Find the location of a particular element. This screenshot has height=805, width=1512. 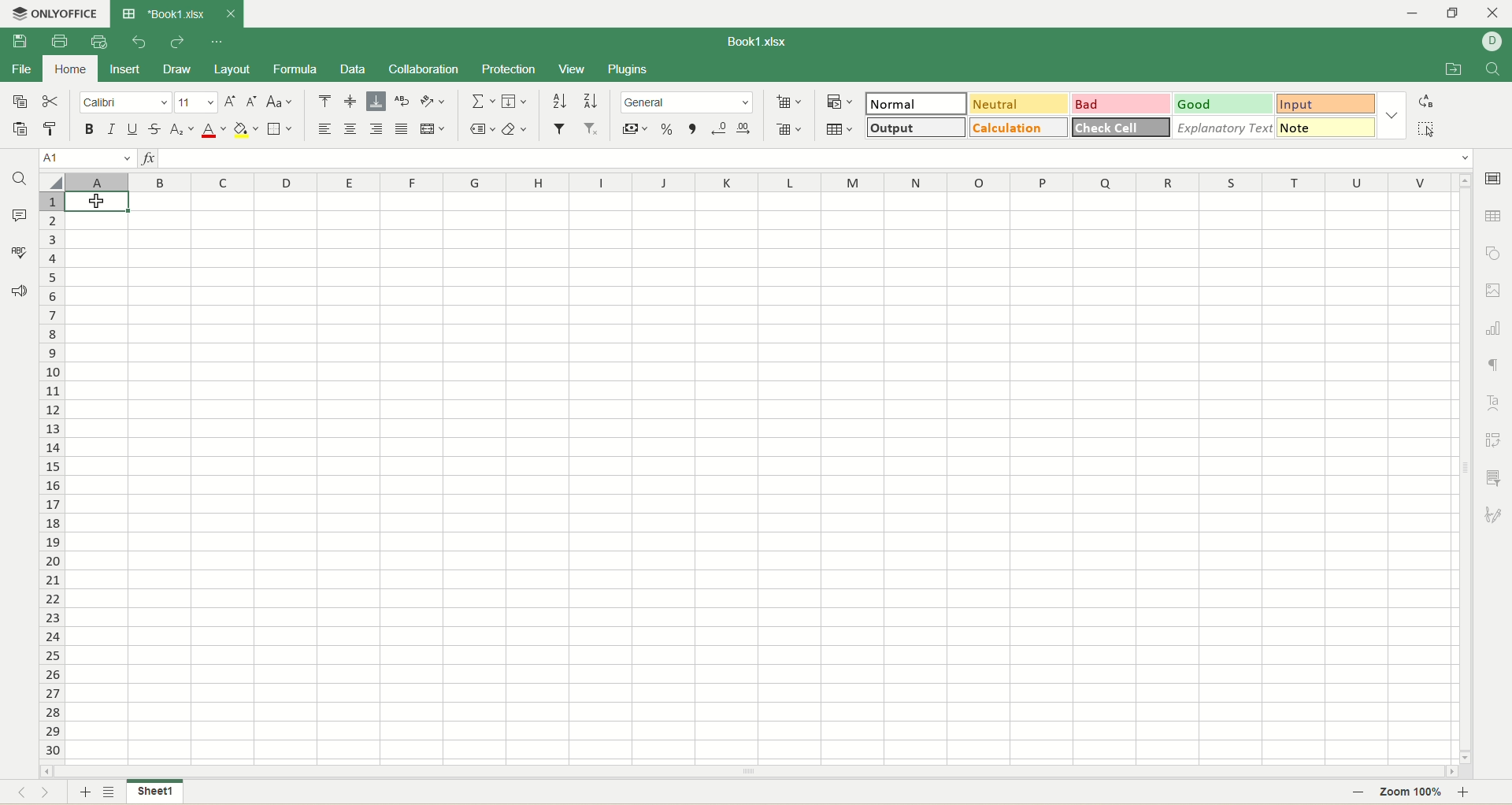

print is located at coordinates (58, 41).